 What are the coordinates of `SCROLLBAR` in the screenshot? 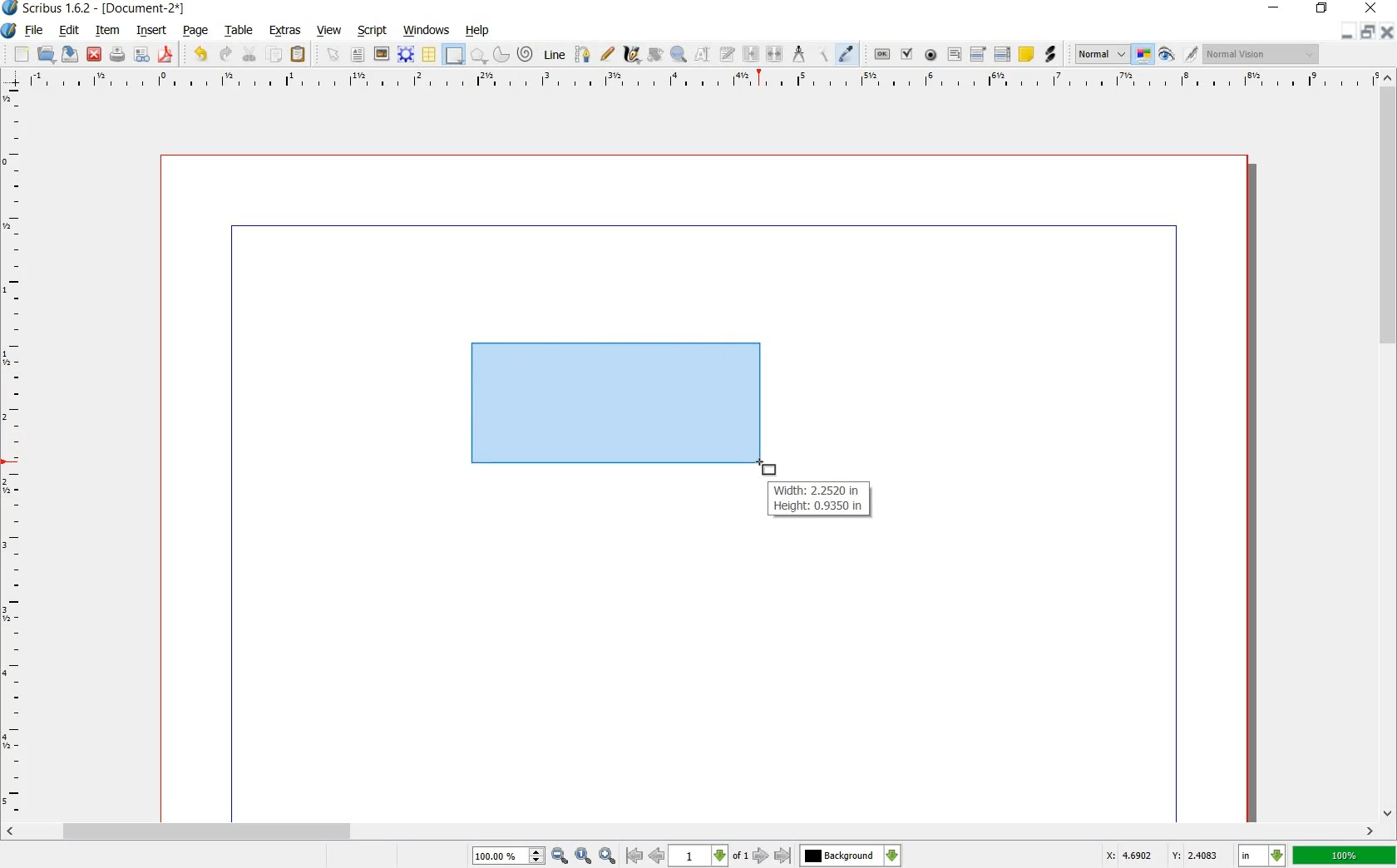 It's located at (690, 831).